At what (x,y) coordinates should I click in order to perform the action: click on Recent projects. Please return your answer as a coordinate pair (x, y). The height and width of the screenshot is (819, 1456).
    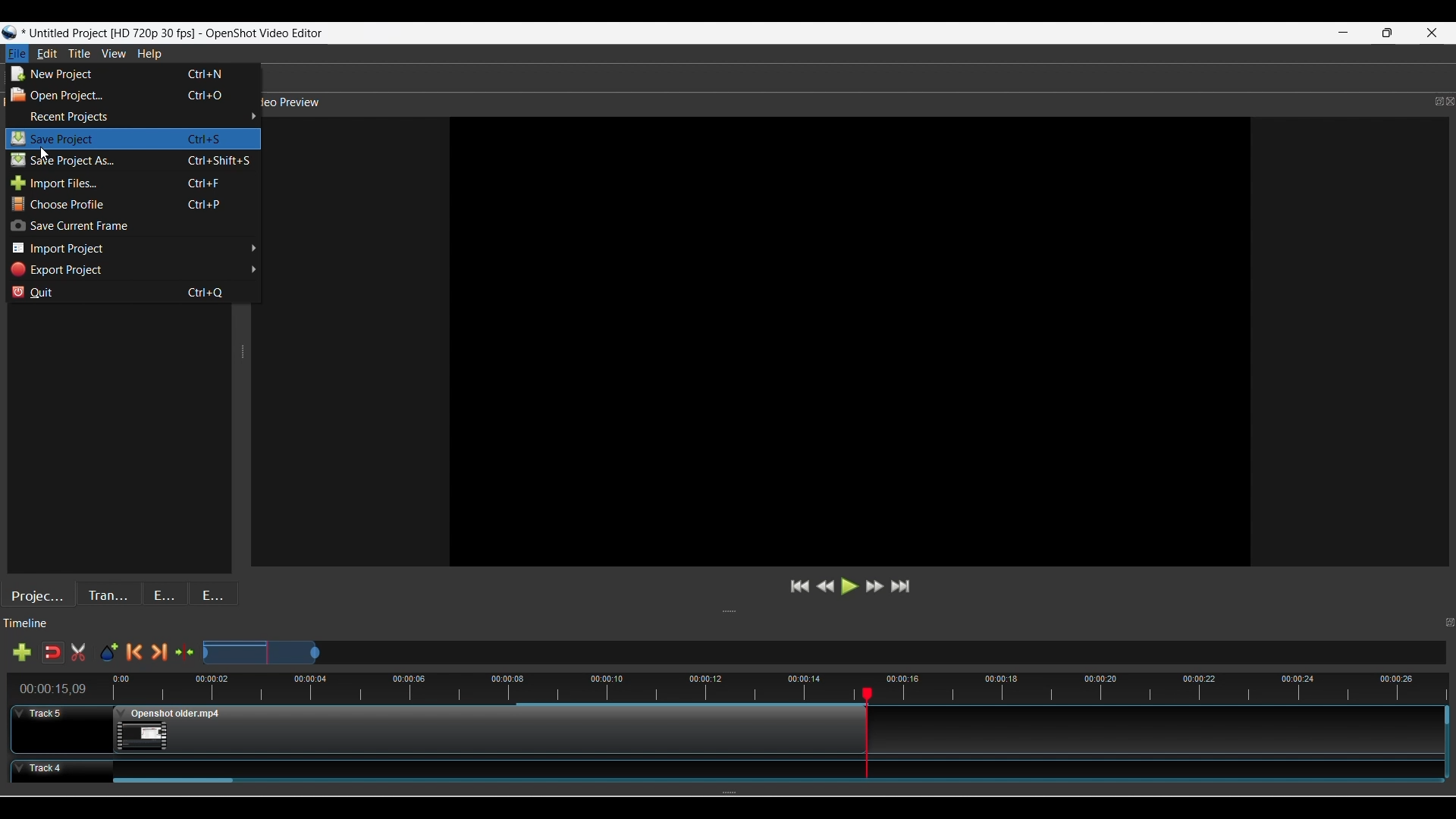
    Looking at the image, I should click on (135, 117).